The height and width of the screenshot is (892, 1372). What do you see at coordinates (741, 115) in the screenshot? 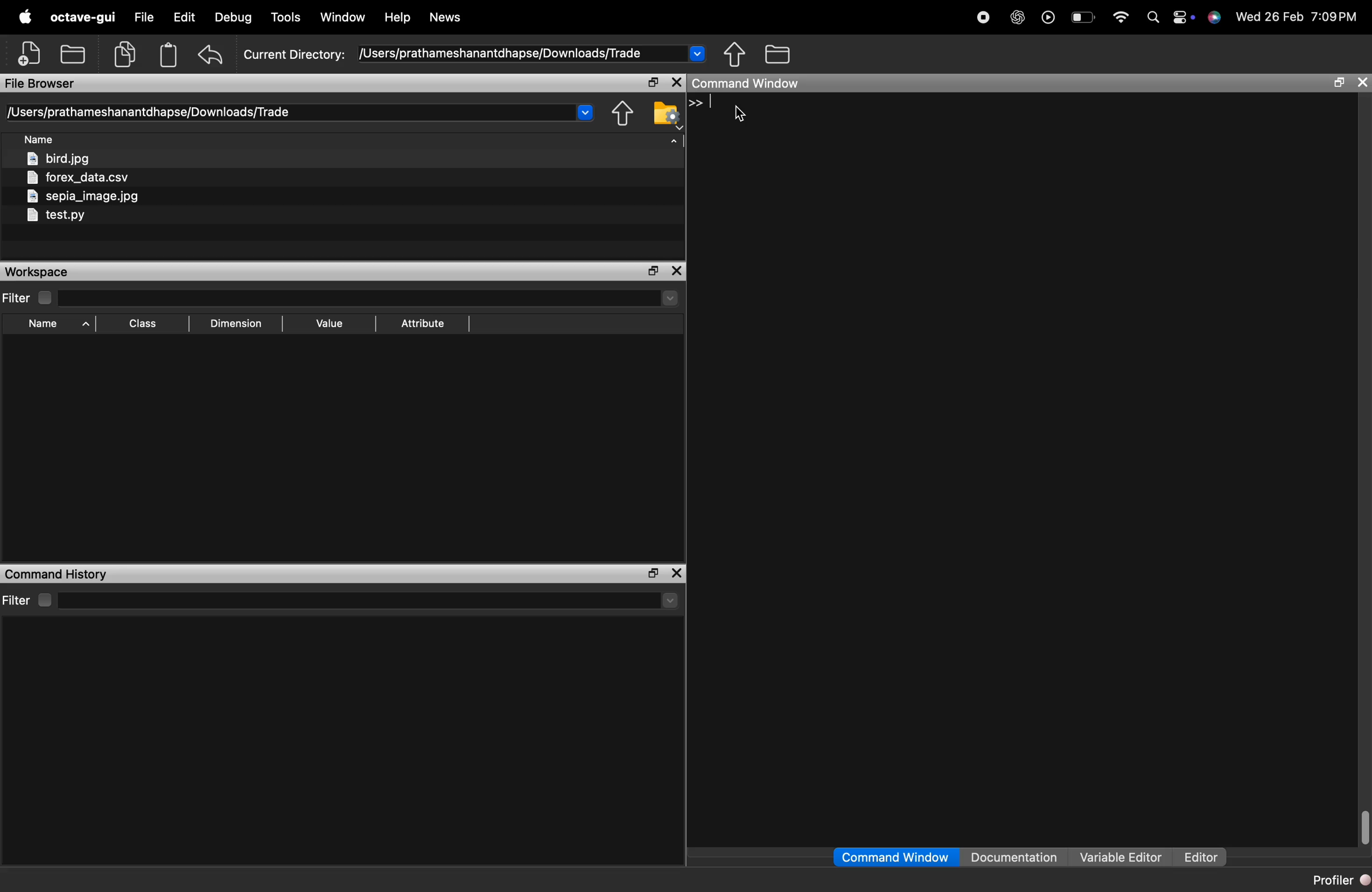
I see `cursor` at bounding box center [741, 115].